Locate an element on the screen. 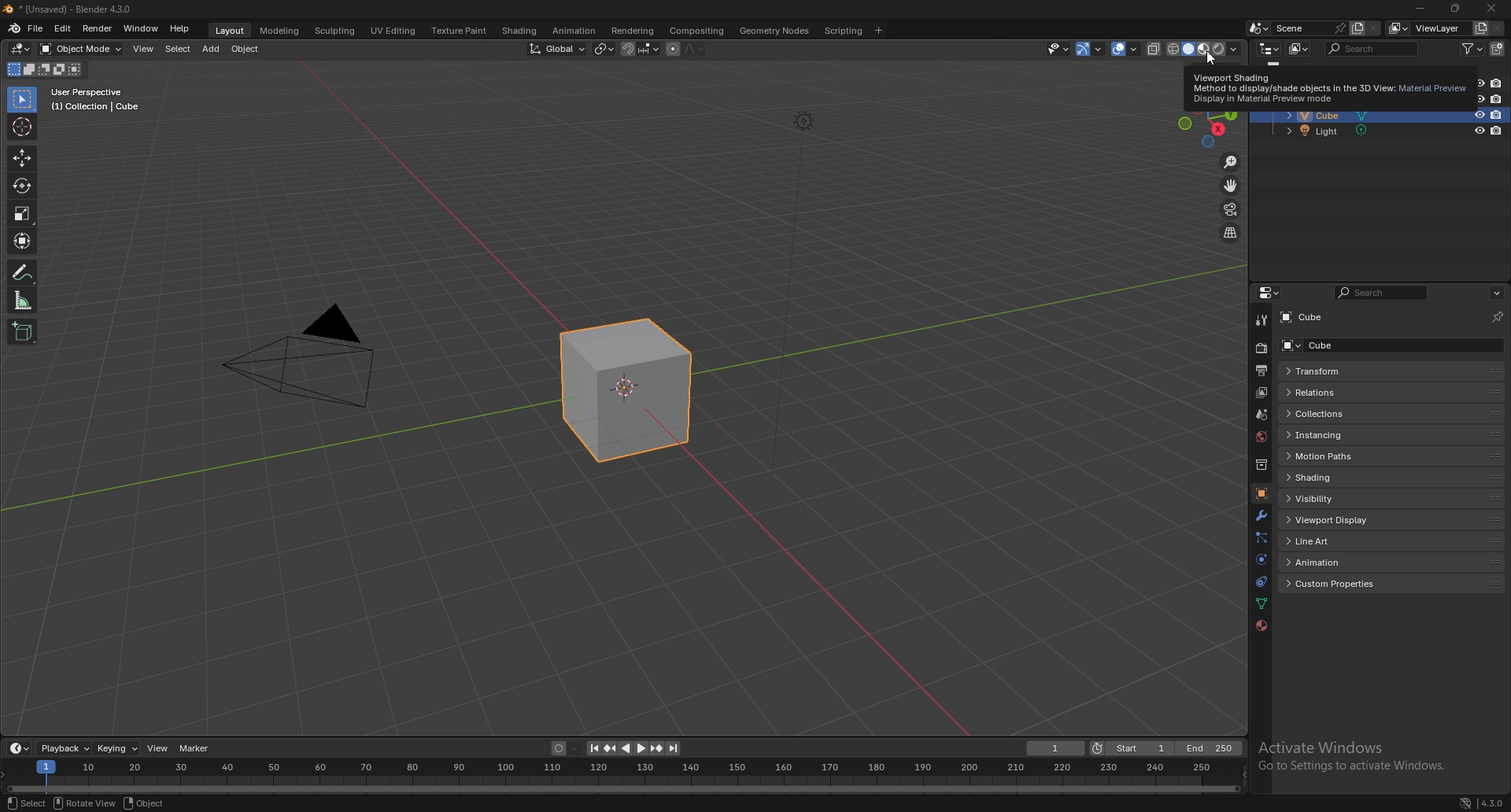  jump to next keyframe is located at coordinates (656, 748).